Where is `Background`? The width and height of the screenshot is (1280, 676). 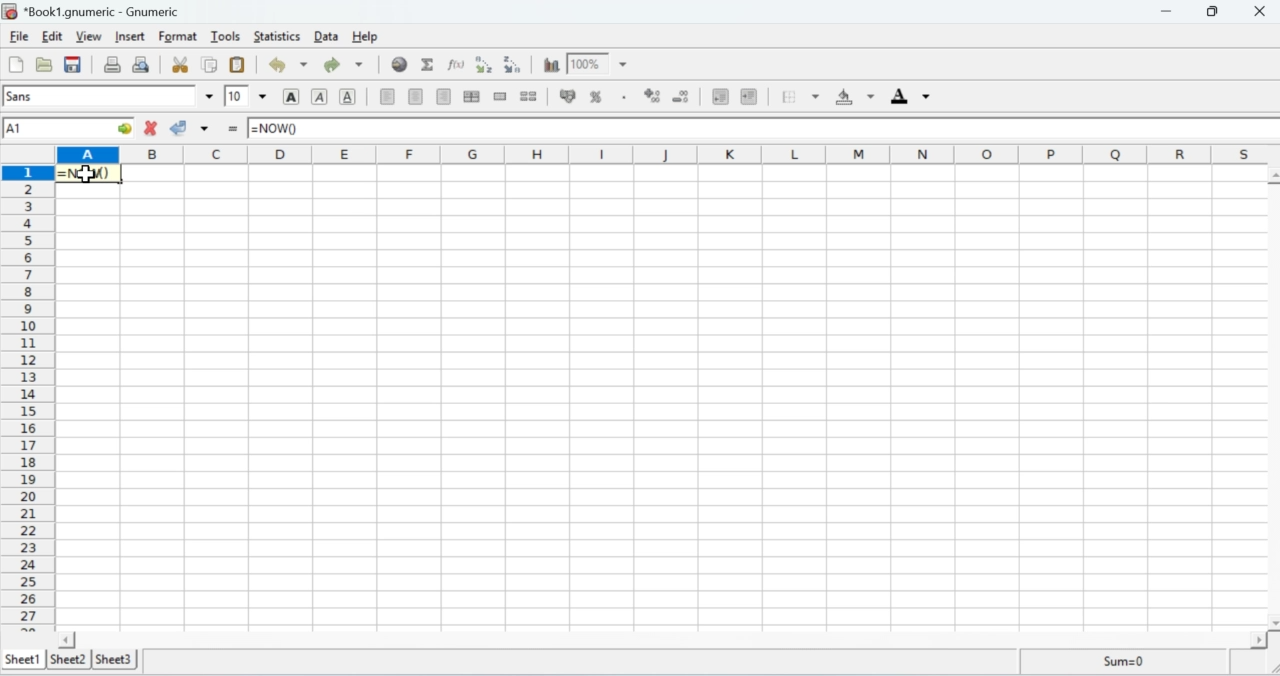
Background is located at coordinates (855, 99).